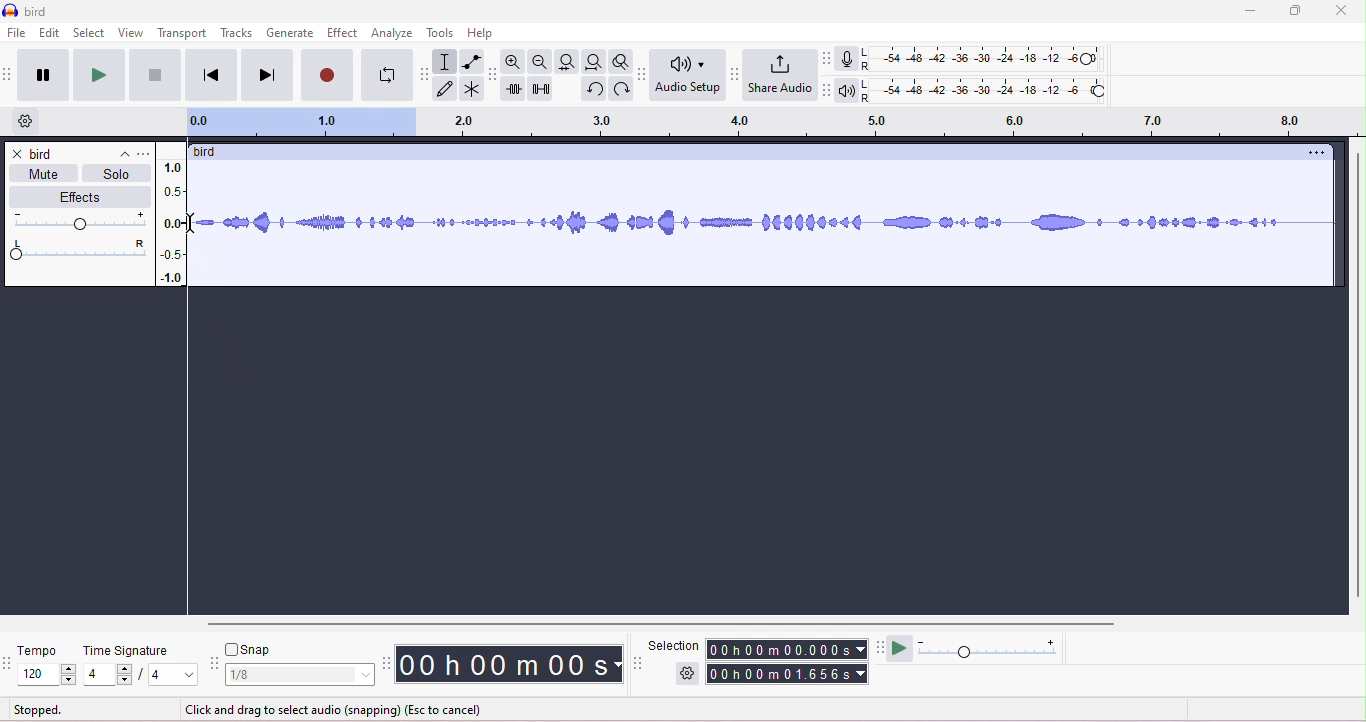 The height and width of the screenshot is (722, 1366). Describe the element at coordinates (26, 120) in the screenshot. I see `timeline options` at that location.